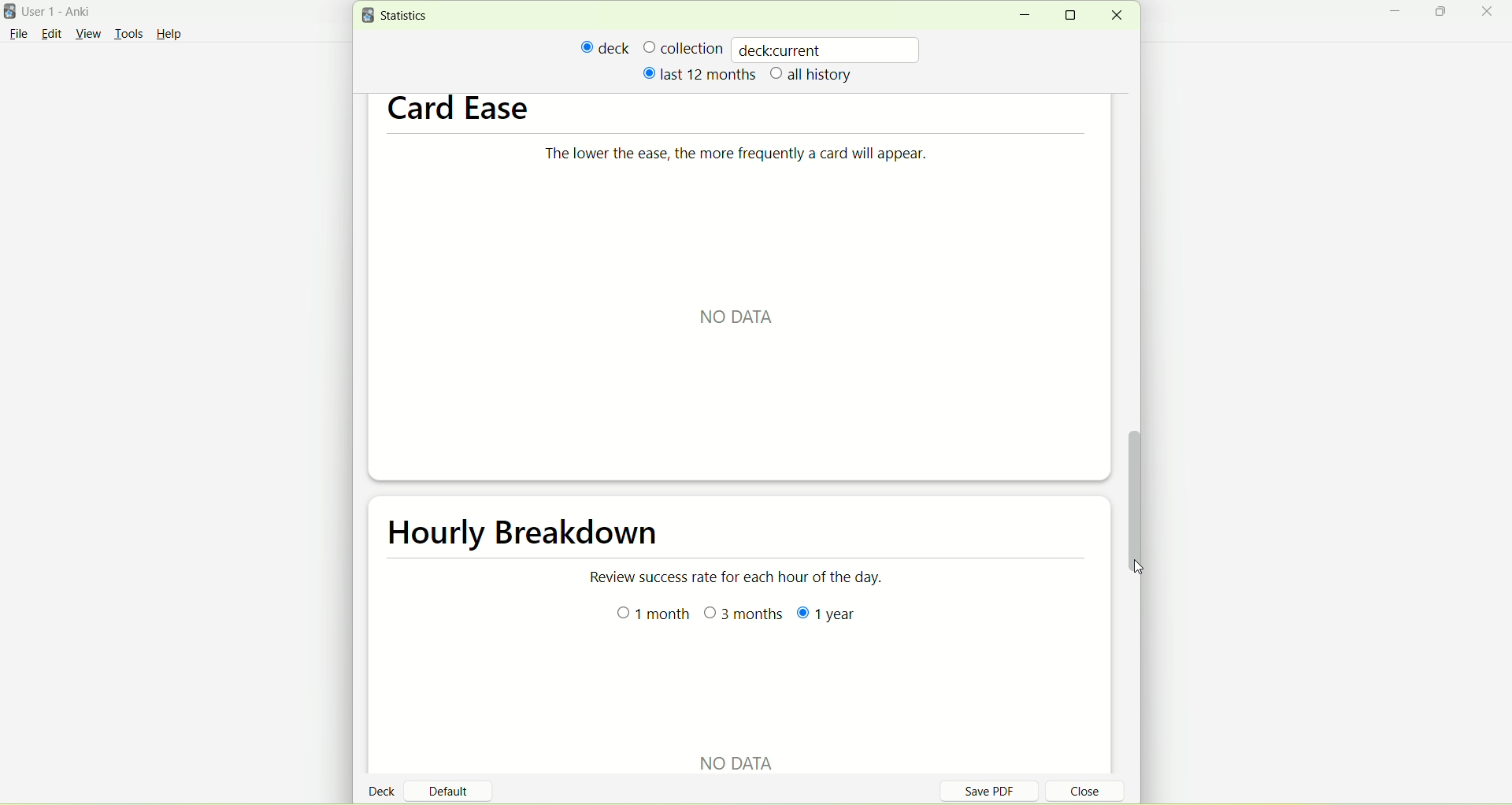 This screenshot has height=805, width=1512. What do you see at coordinates (1076, 15) in the screenshot?
I see `maximize` at bounding box center [1076, 15].